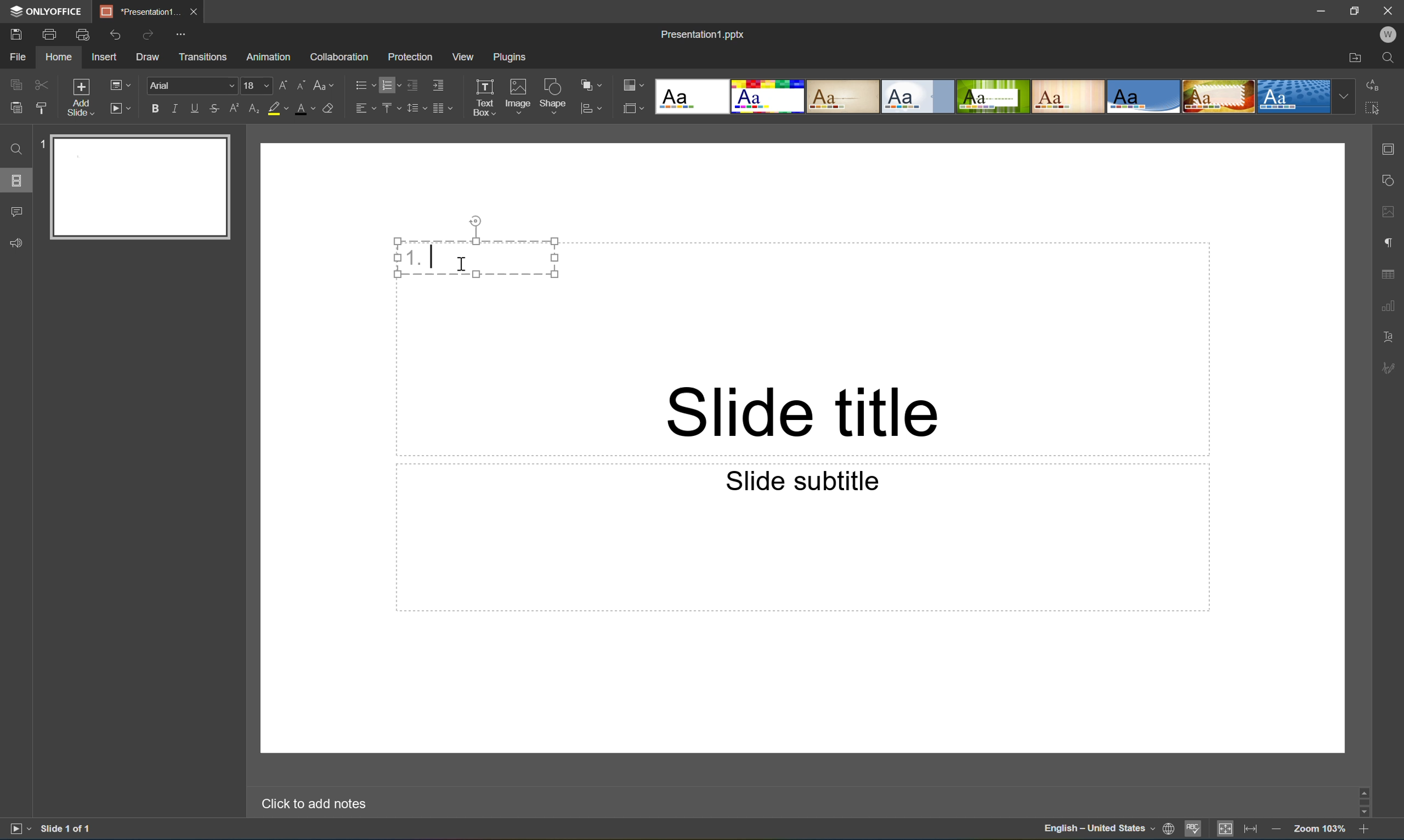  Describe the element at coordinates (1389, 275) in the screenshot. I see `Table settings` at that location.